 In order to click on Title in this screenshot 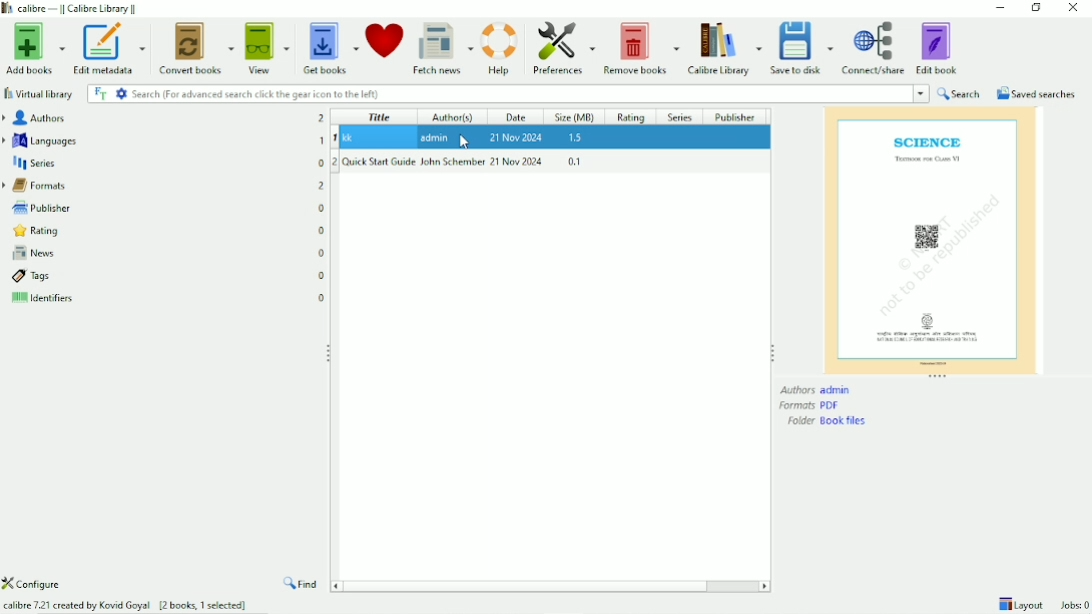, I will do `click(381, 116)`.